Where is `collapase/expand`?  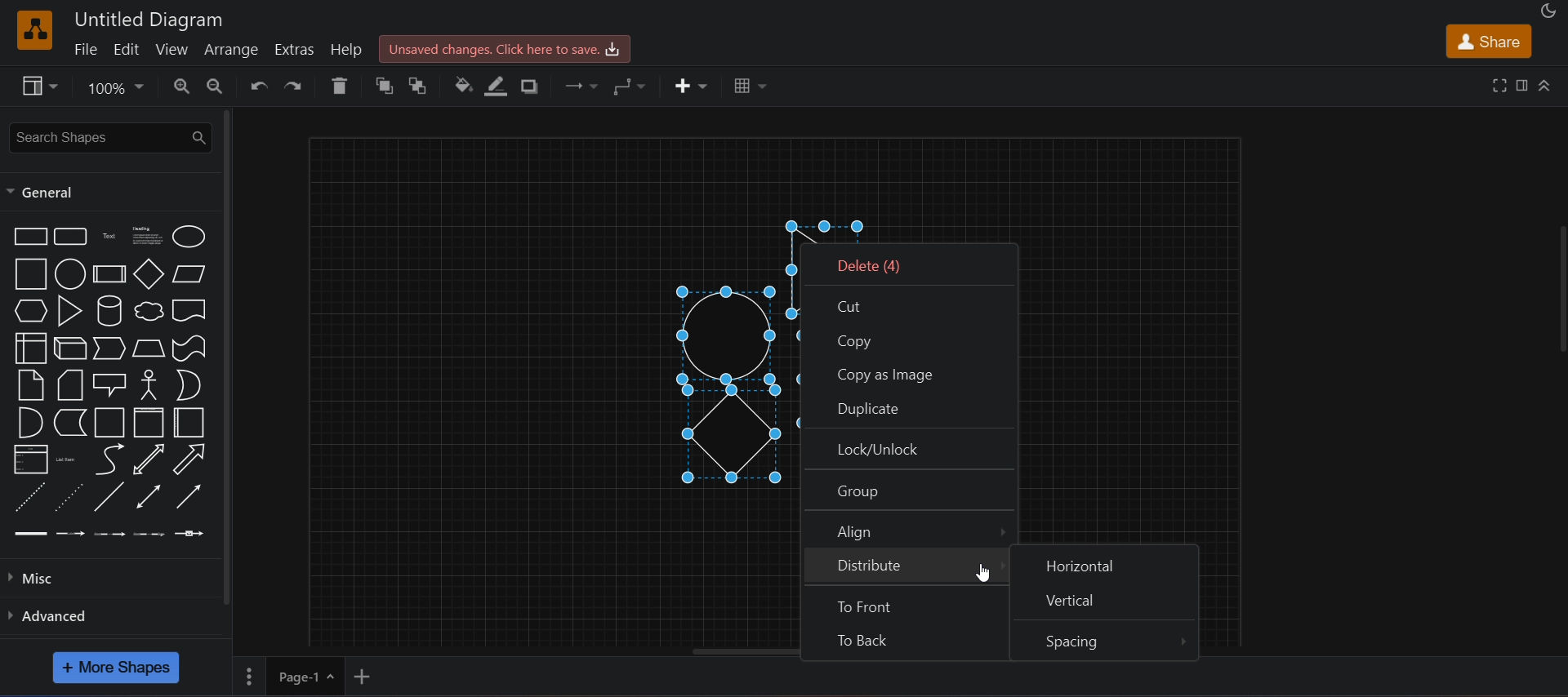 collapase/expand is located at coordinates (1546, 84).